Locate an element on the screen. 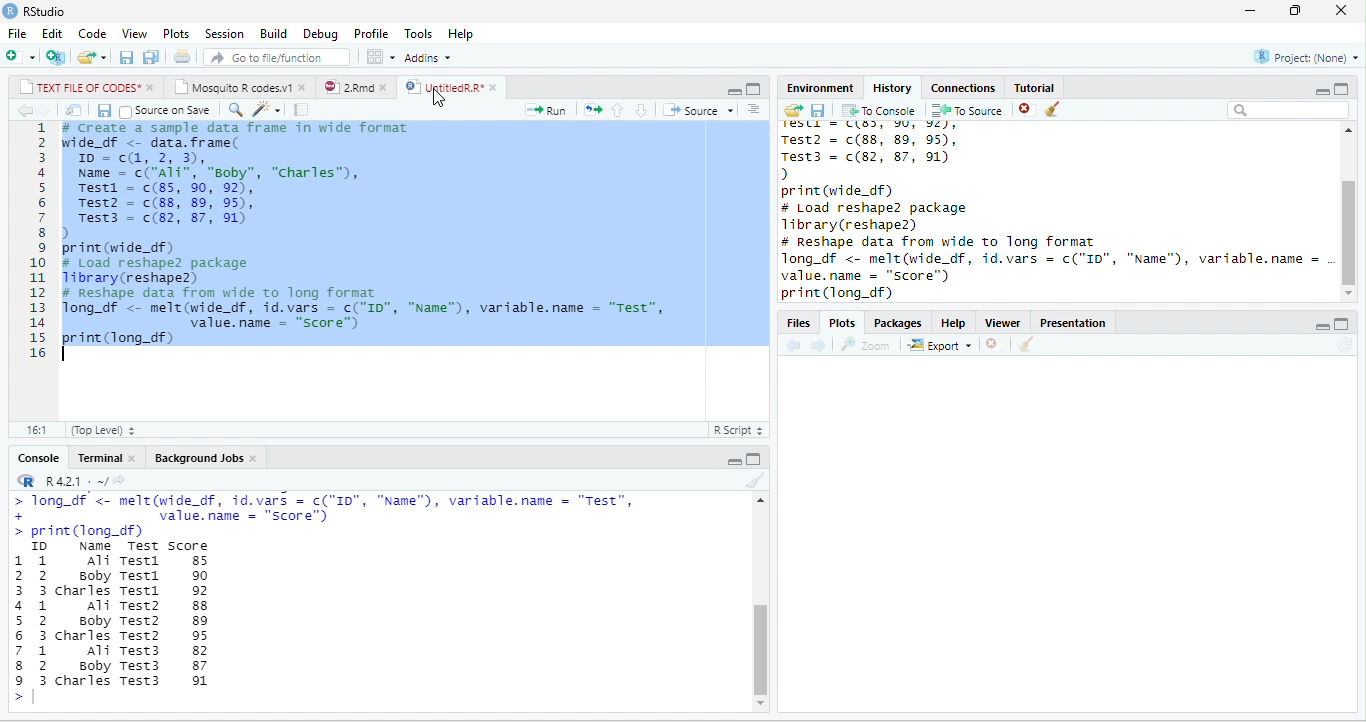  Mosquito R codes.v1 is located at coordinates (232, 86).